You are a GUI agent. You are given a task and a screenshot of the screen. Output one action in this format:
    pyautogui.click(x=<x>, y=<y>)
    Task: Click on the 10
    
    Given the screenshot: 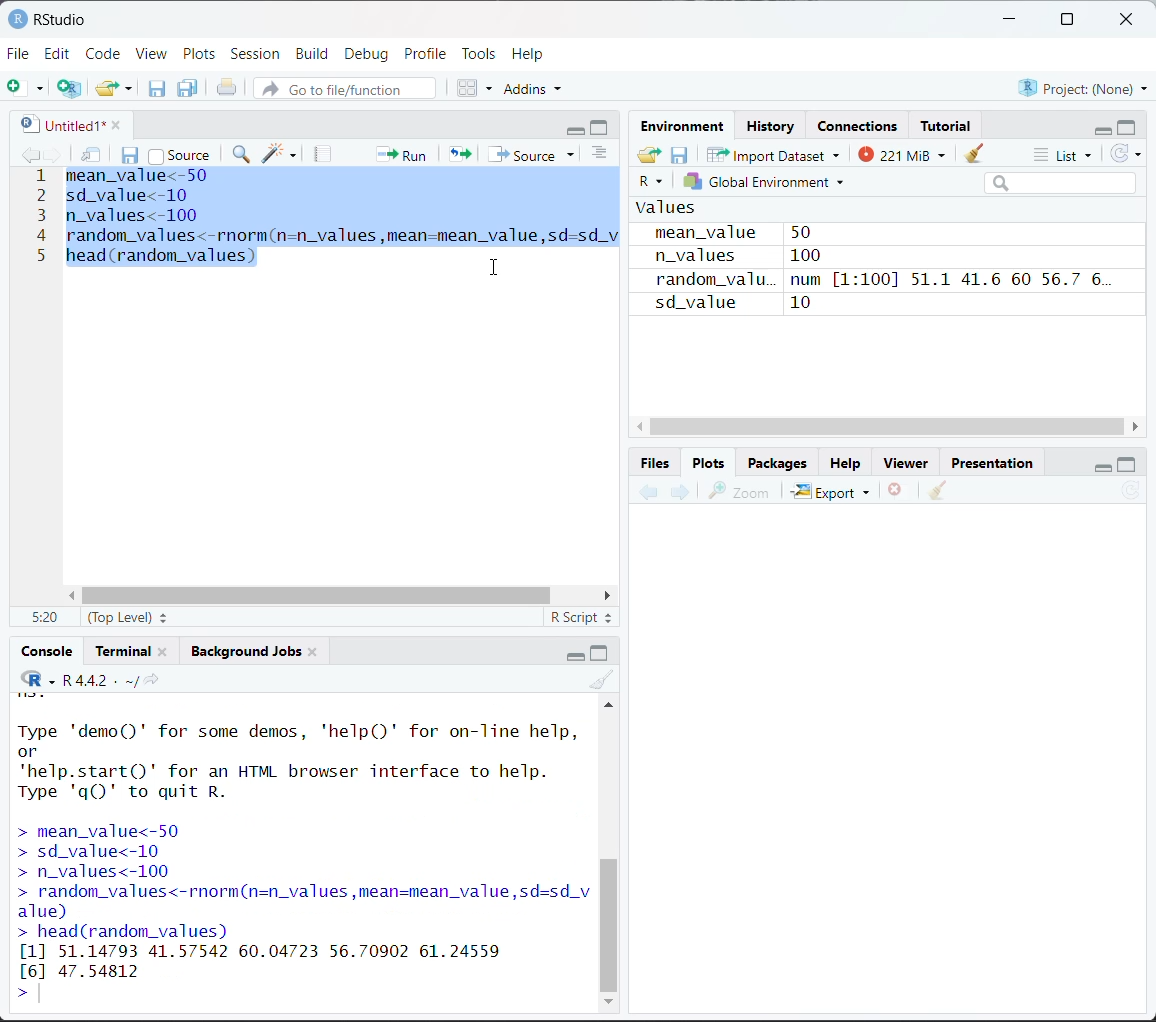 What is the action you would take?
    pyautogui.click(x=800, y=301)
    